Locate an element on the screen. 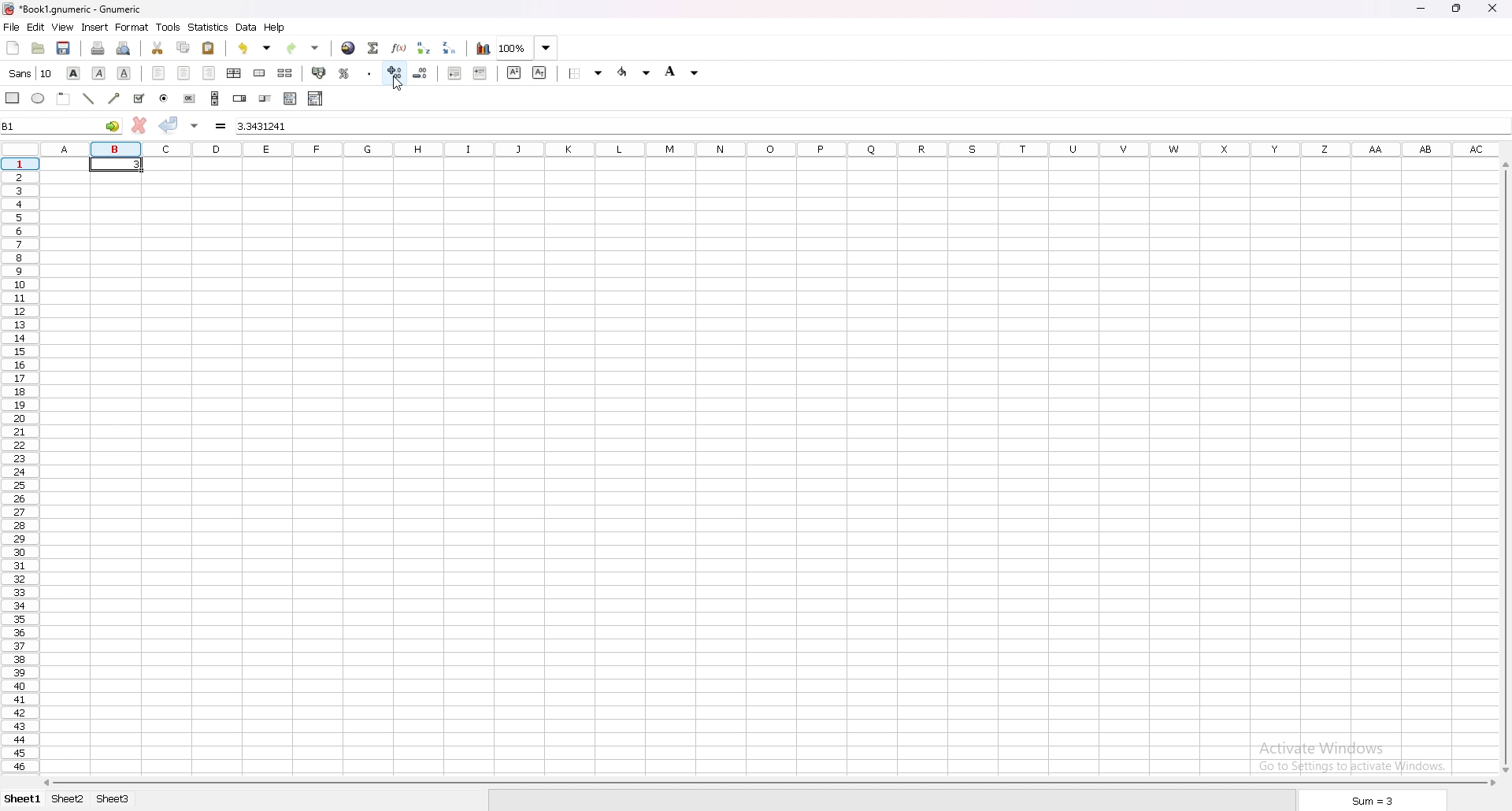  scroll bar is located at coordinates (773, 783).